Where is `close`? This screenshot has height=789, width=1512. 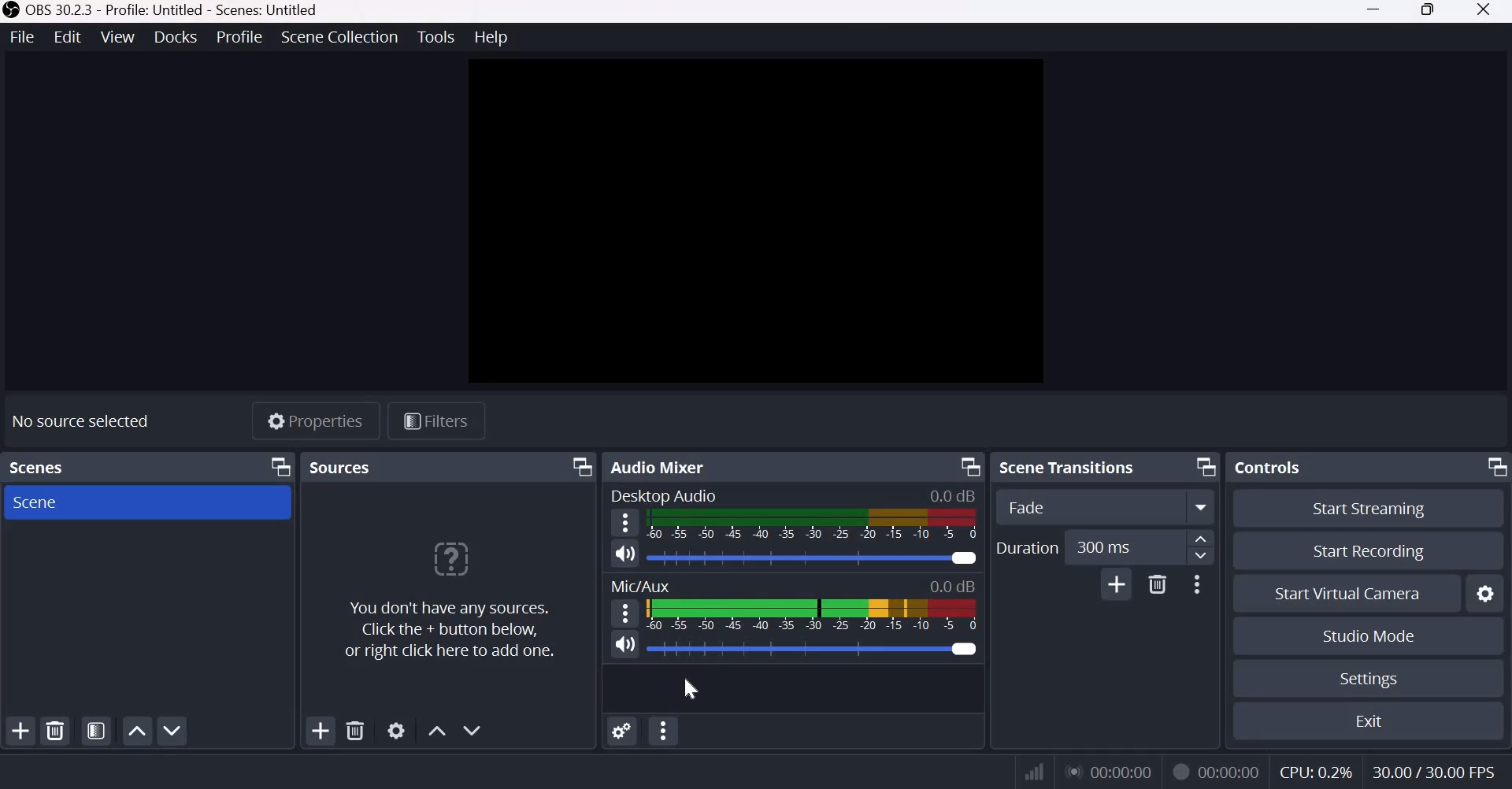
close is located at coordinates (1484, 12).